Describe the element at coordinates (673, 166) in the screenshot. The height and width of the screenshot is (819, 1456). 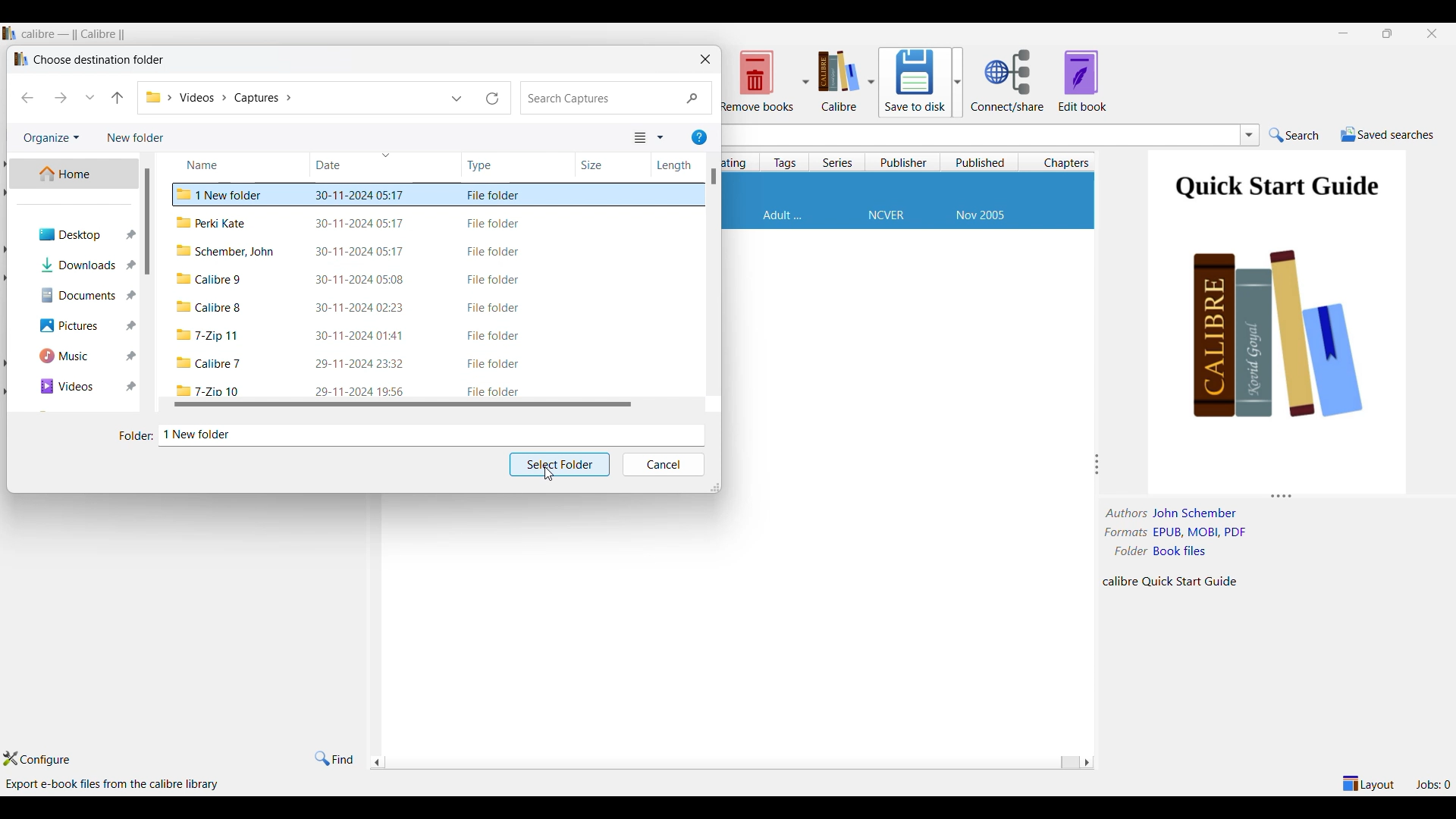
I see `Length column` at that location.